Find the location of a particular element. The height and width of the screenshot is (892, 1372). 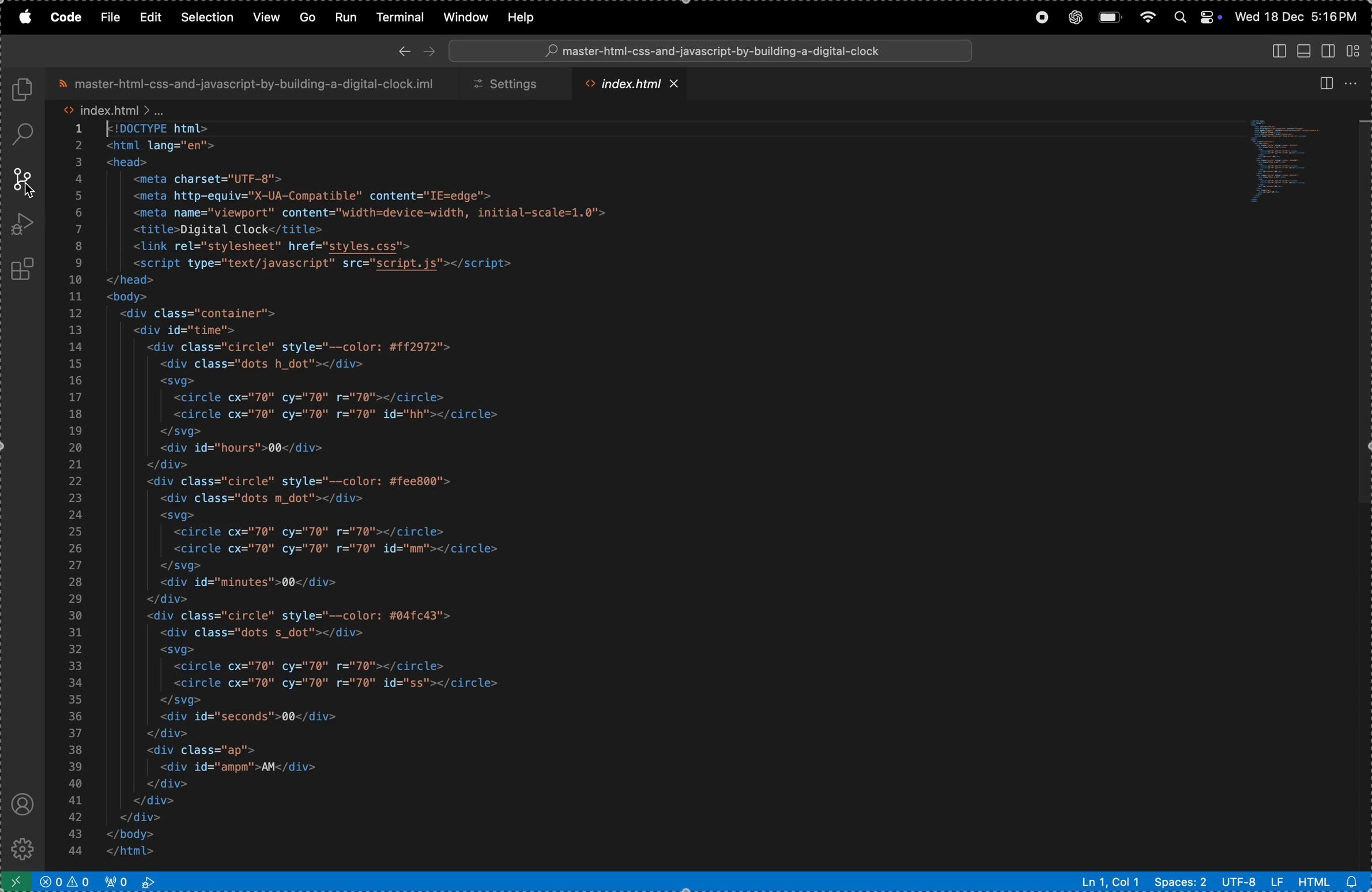

<div class="container"> is located at coordinates (199, 313).